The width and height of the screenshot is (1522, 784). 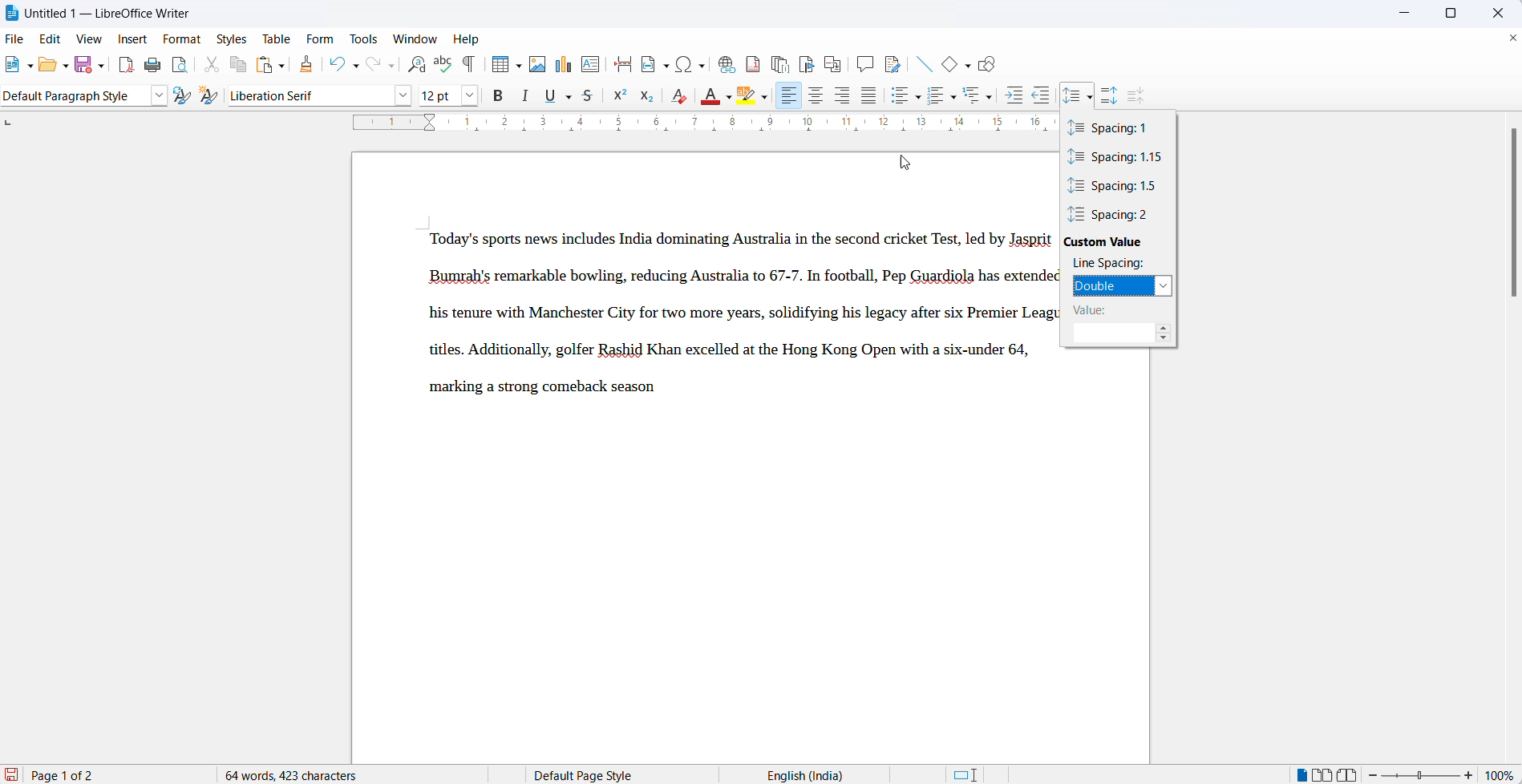 I want to click on text align left, so click(x=790, y=97).